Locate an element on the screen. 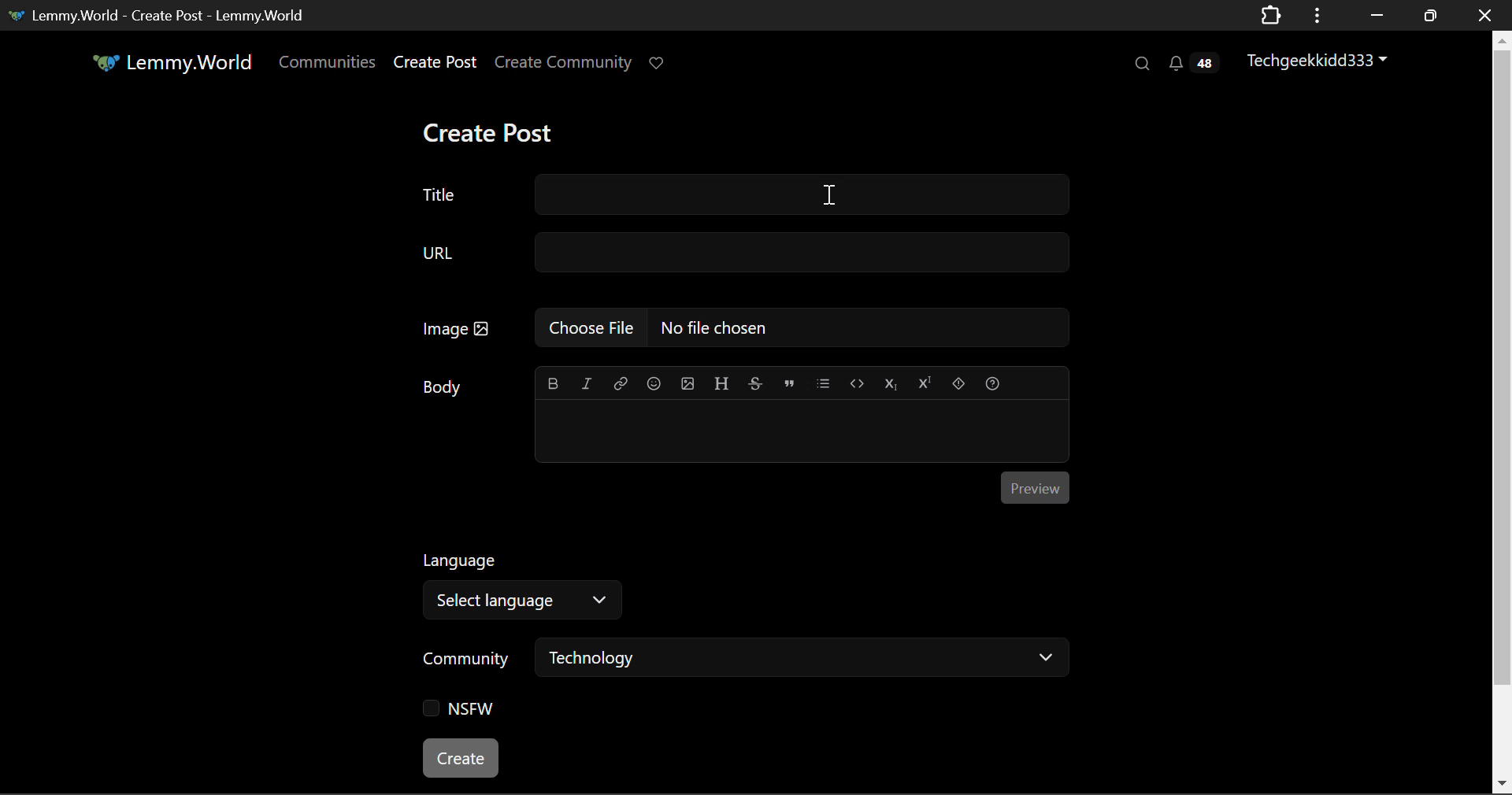 The width and height of the screenshot is (1512, 795). Select Post Language is located at coordinates (516, 582).